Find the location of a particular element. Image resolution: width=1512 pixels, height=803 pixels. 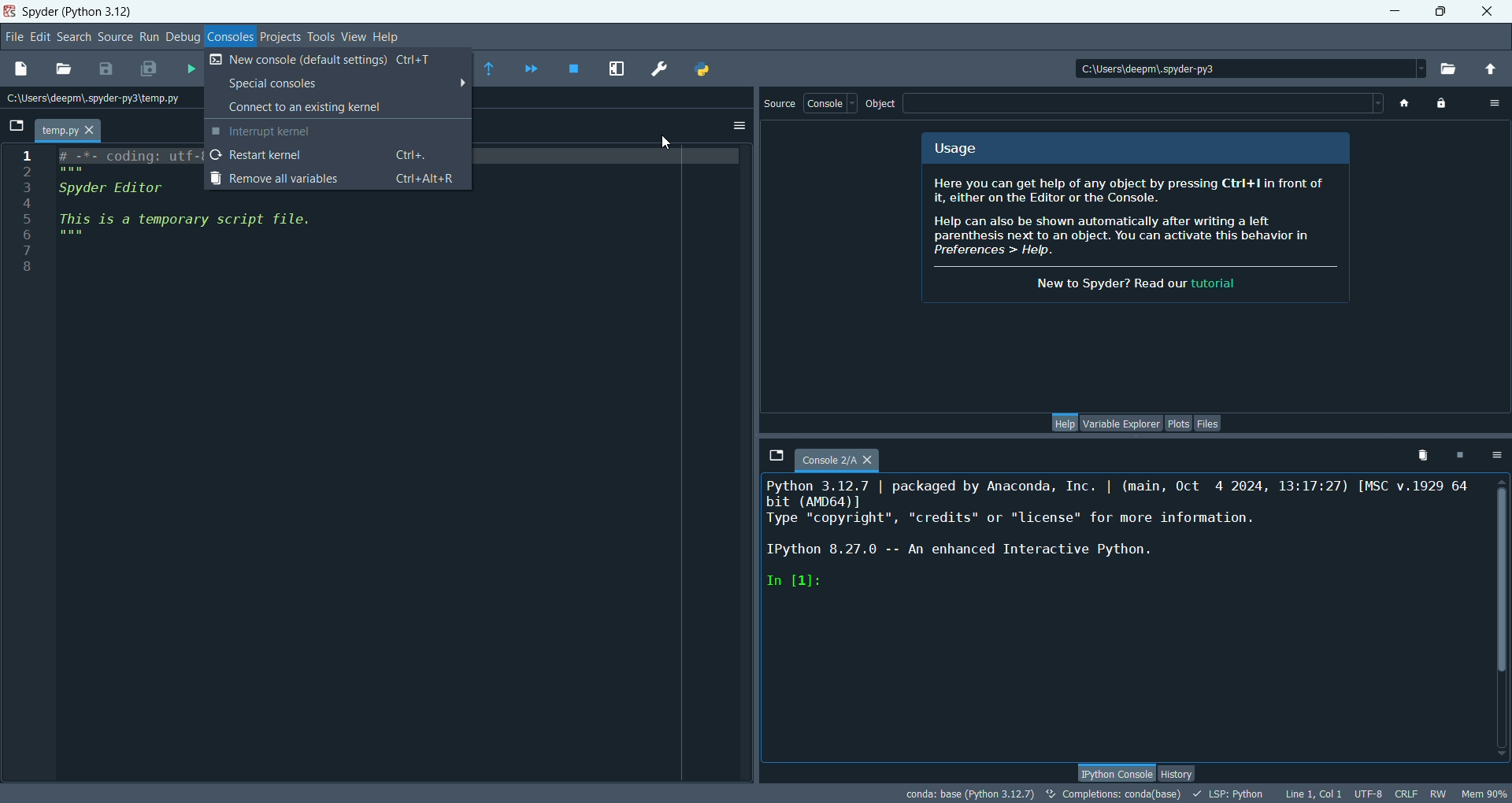

browse tabs is located at coordinates (776, 457).